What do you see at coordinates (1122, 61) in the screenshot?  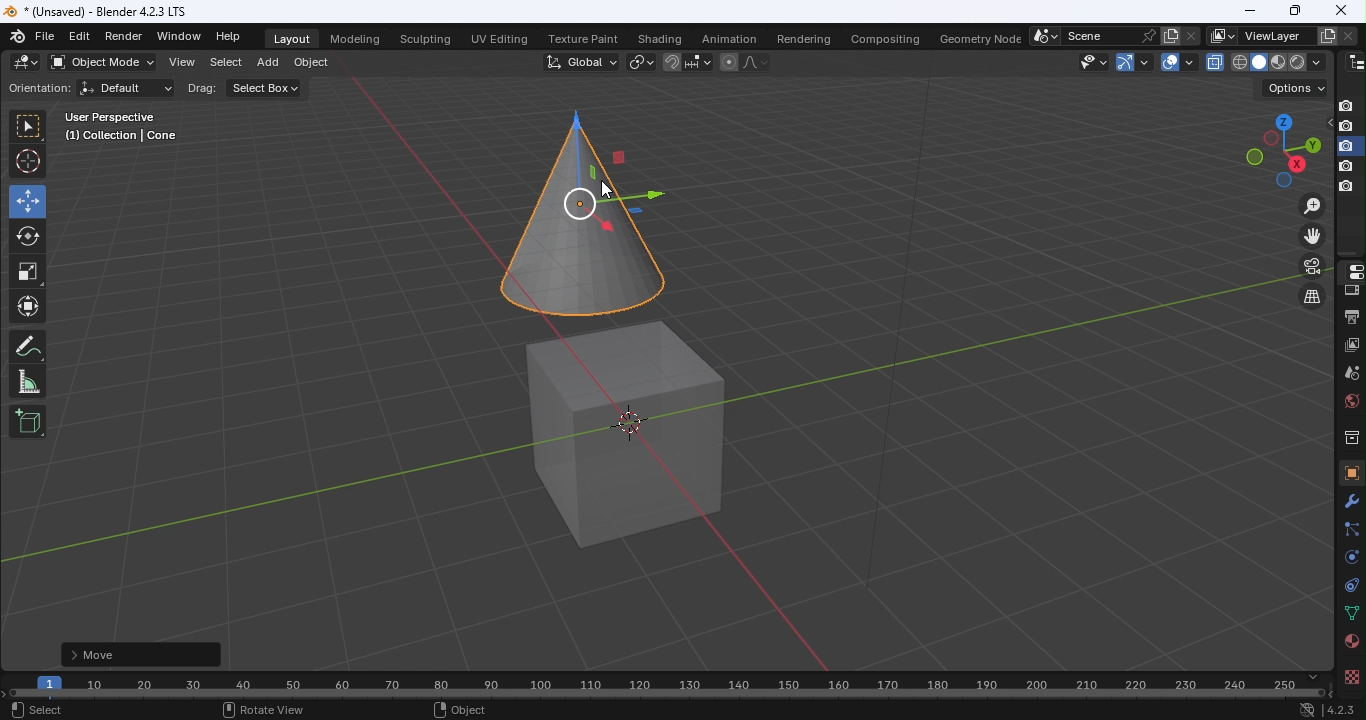 I see `Gizmo` at bounding box center [1122, 61].